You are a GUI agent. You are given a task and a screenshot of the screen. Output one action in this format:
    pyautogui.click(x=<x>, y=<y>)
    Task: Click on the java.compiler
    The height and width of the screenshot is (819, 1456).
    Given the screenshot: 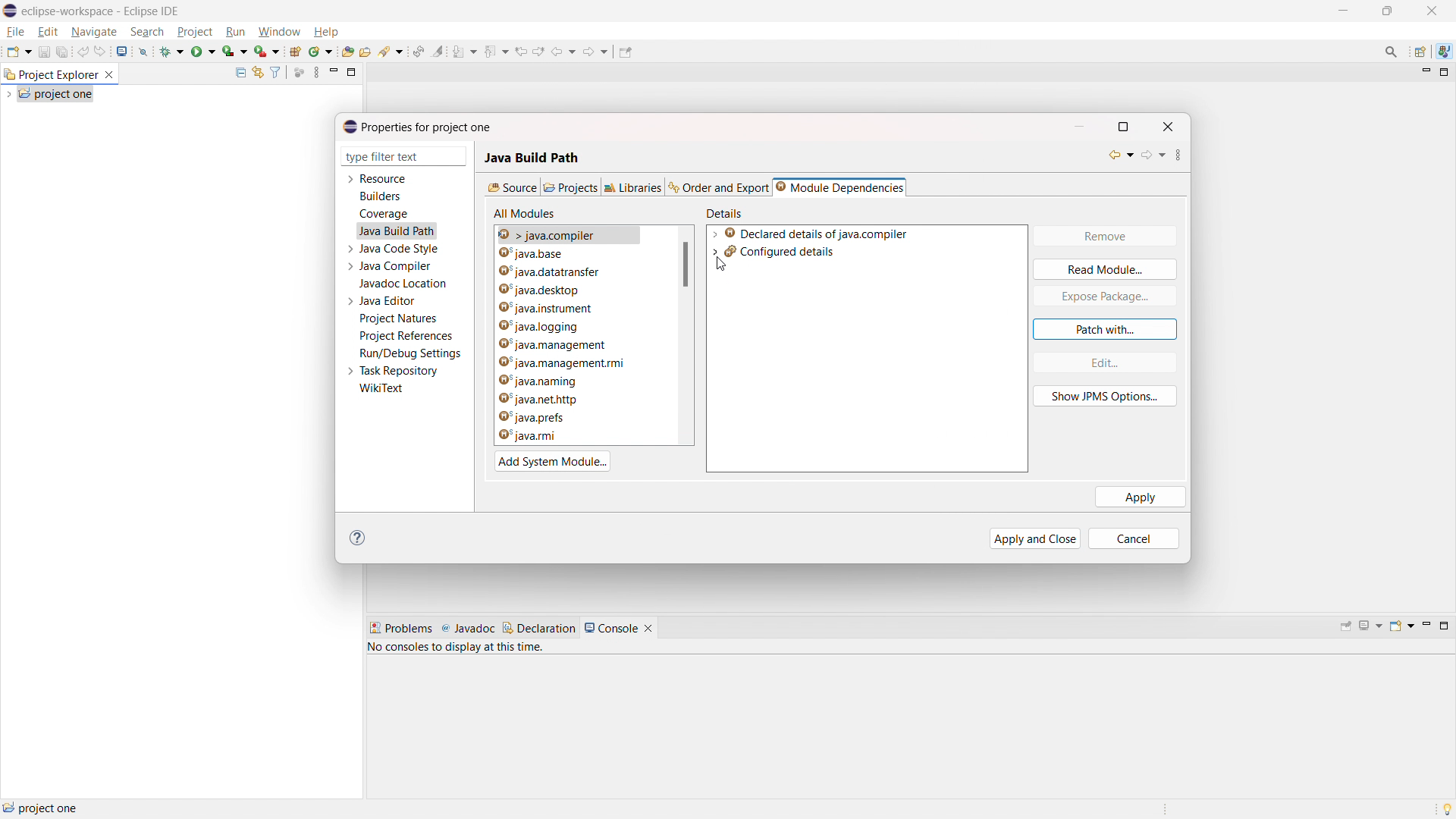 What is the action you would take?
    pyautogui.click(x=581, y=255)
    